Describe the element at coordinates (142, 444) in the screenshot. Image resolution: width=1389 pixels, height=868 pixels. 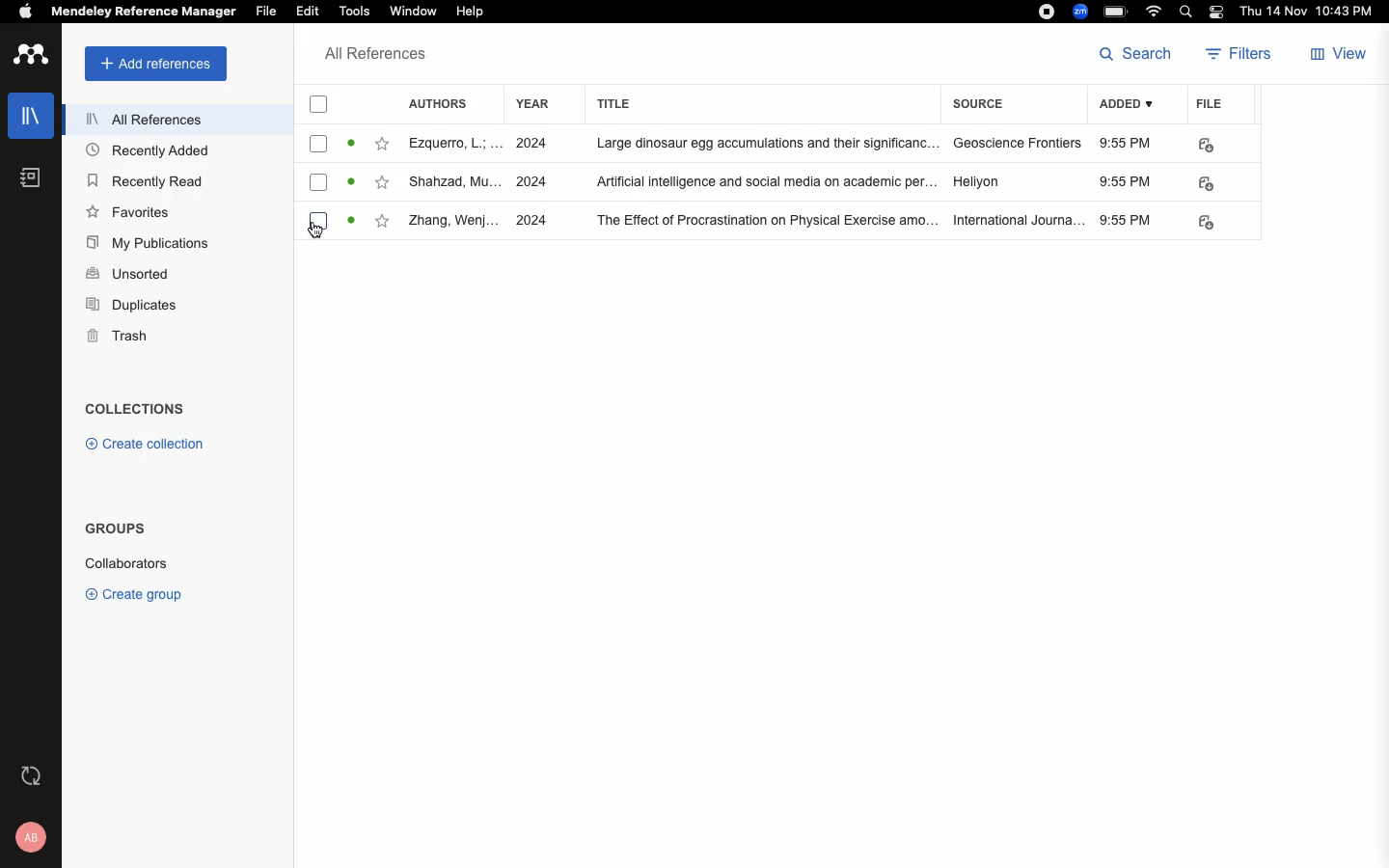
I see `Create collection` at that location.